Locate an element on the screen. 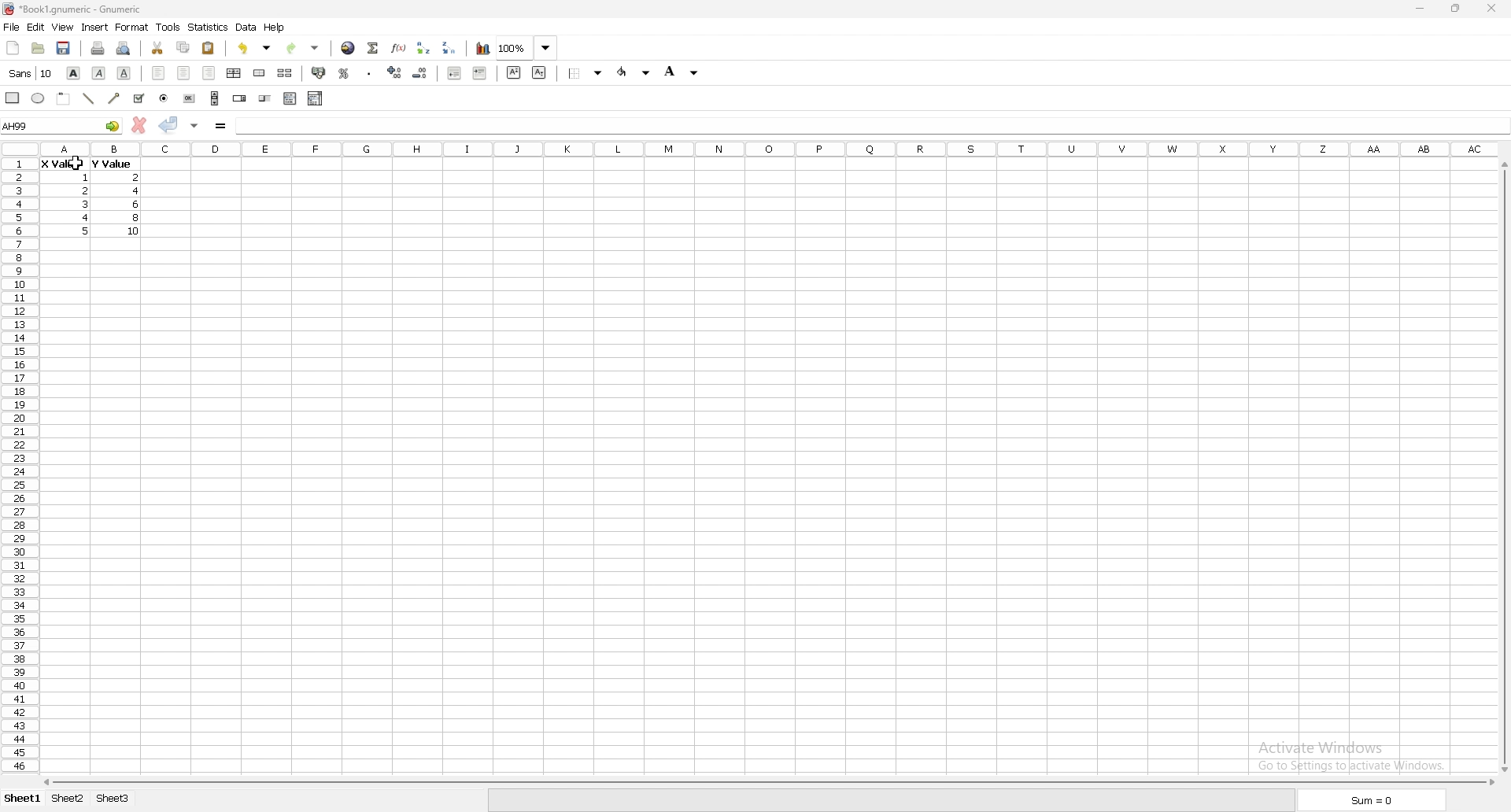 This screenshot has width=1511, height=812. spin button is located at coordinates (240, 98).